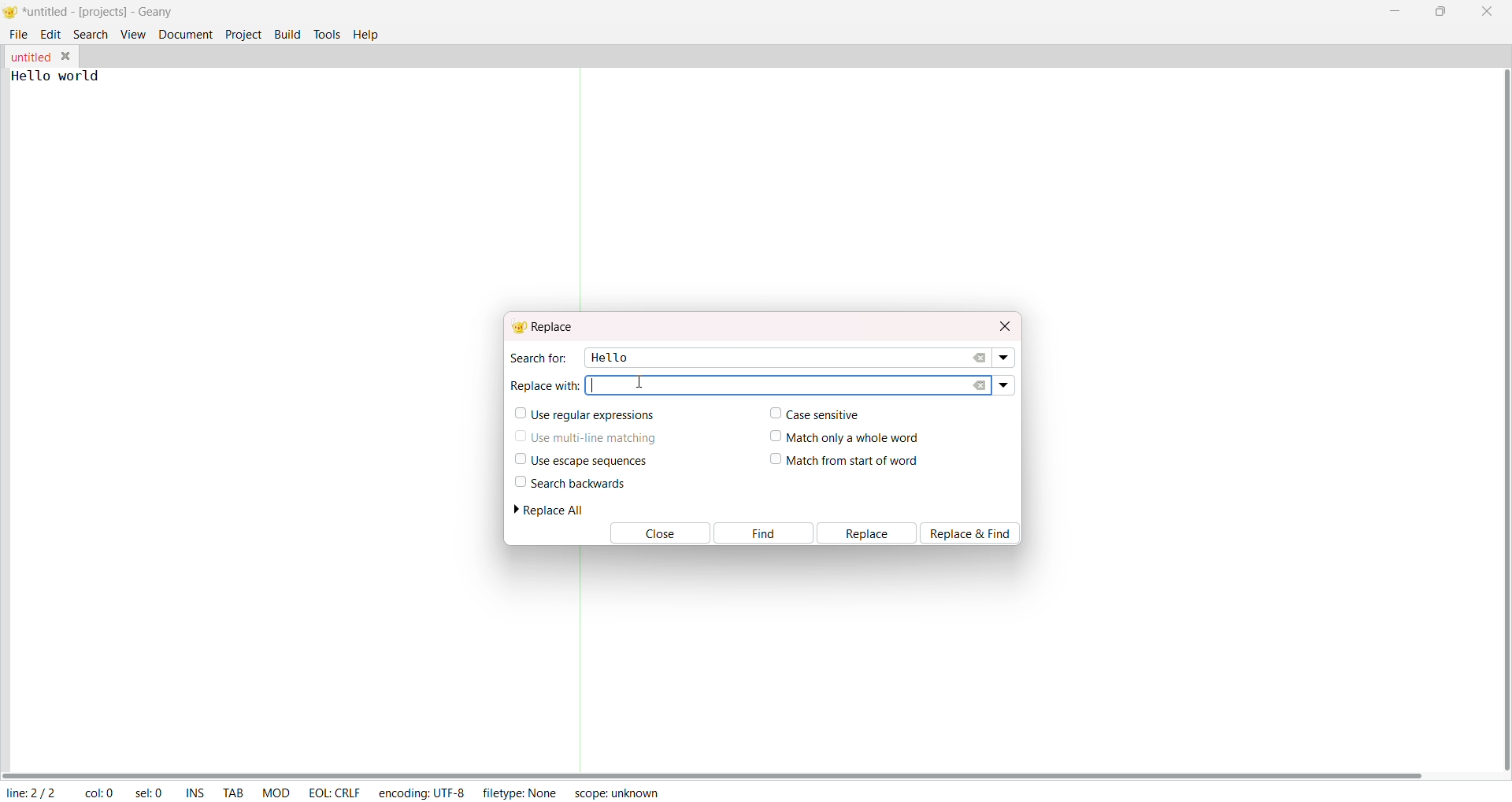 Image resolution: width=1512 pixels, height=802 pixels. Describe the element at coordinates (30, 793) in the screenshot. I see `line: 2/2` at that location.